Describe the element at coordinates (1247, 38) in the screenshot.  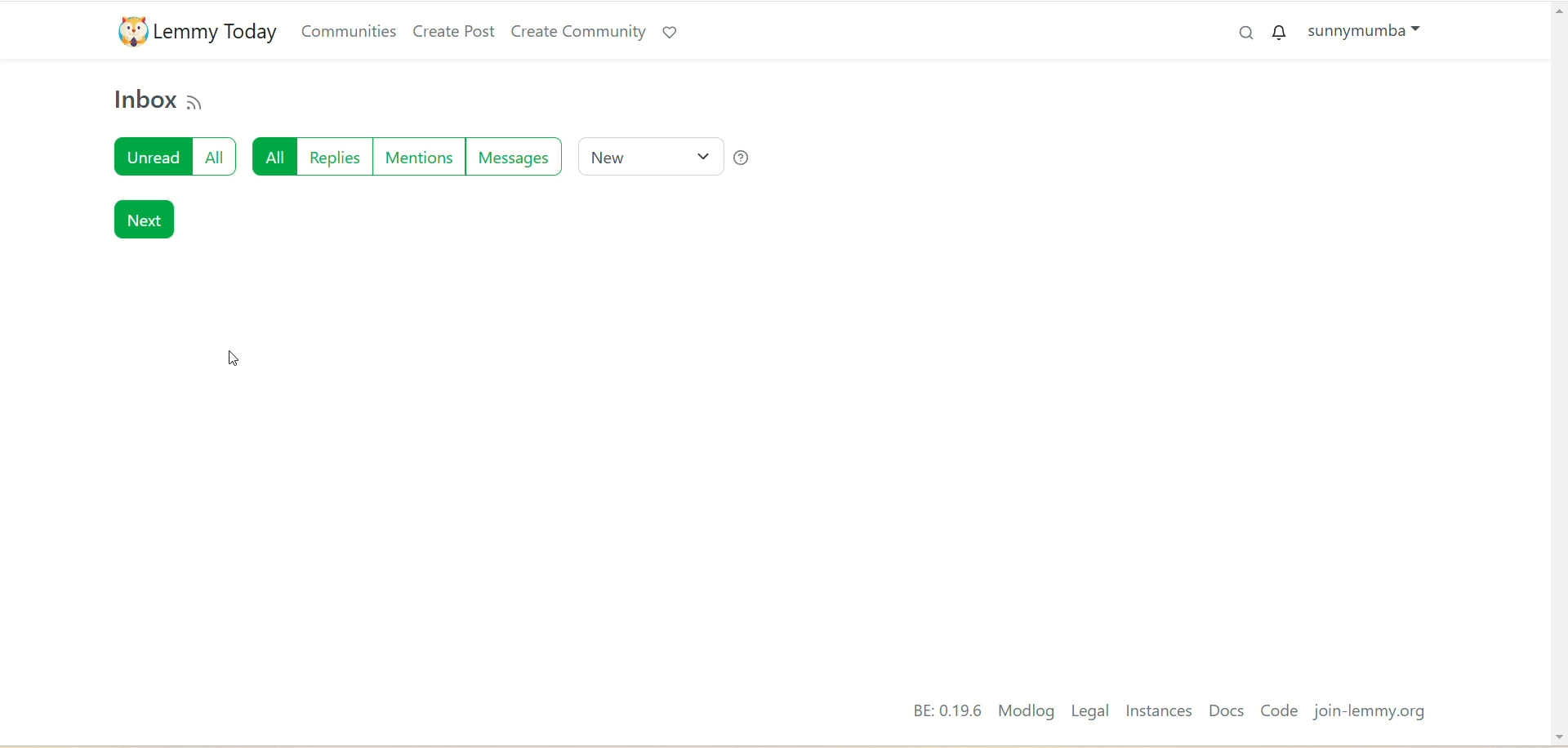
I see `search` at that location.